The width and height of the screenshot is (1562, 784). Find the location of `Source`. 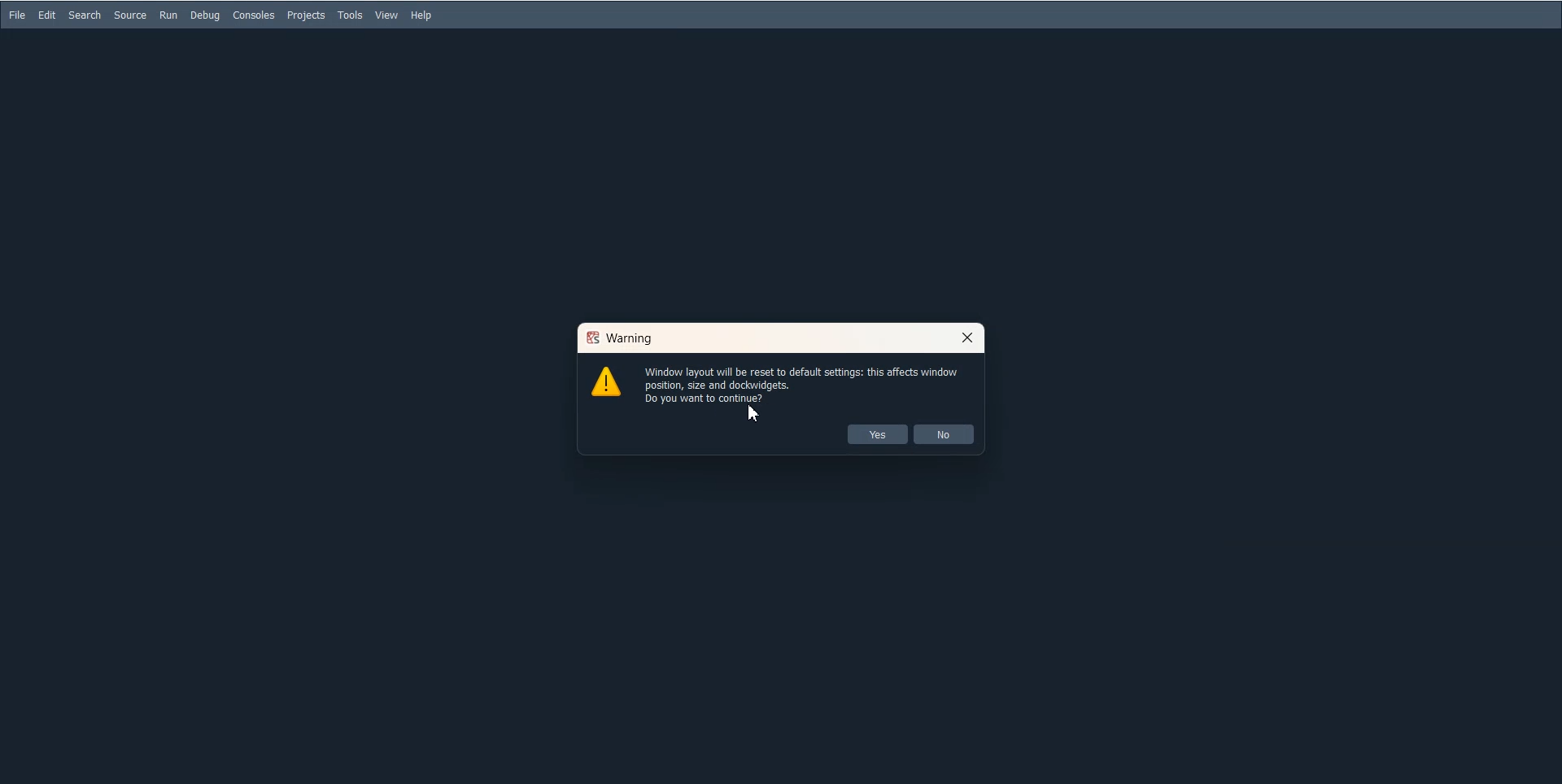

Source is located at coordinates (129, 15).